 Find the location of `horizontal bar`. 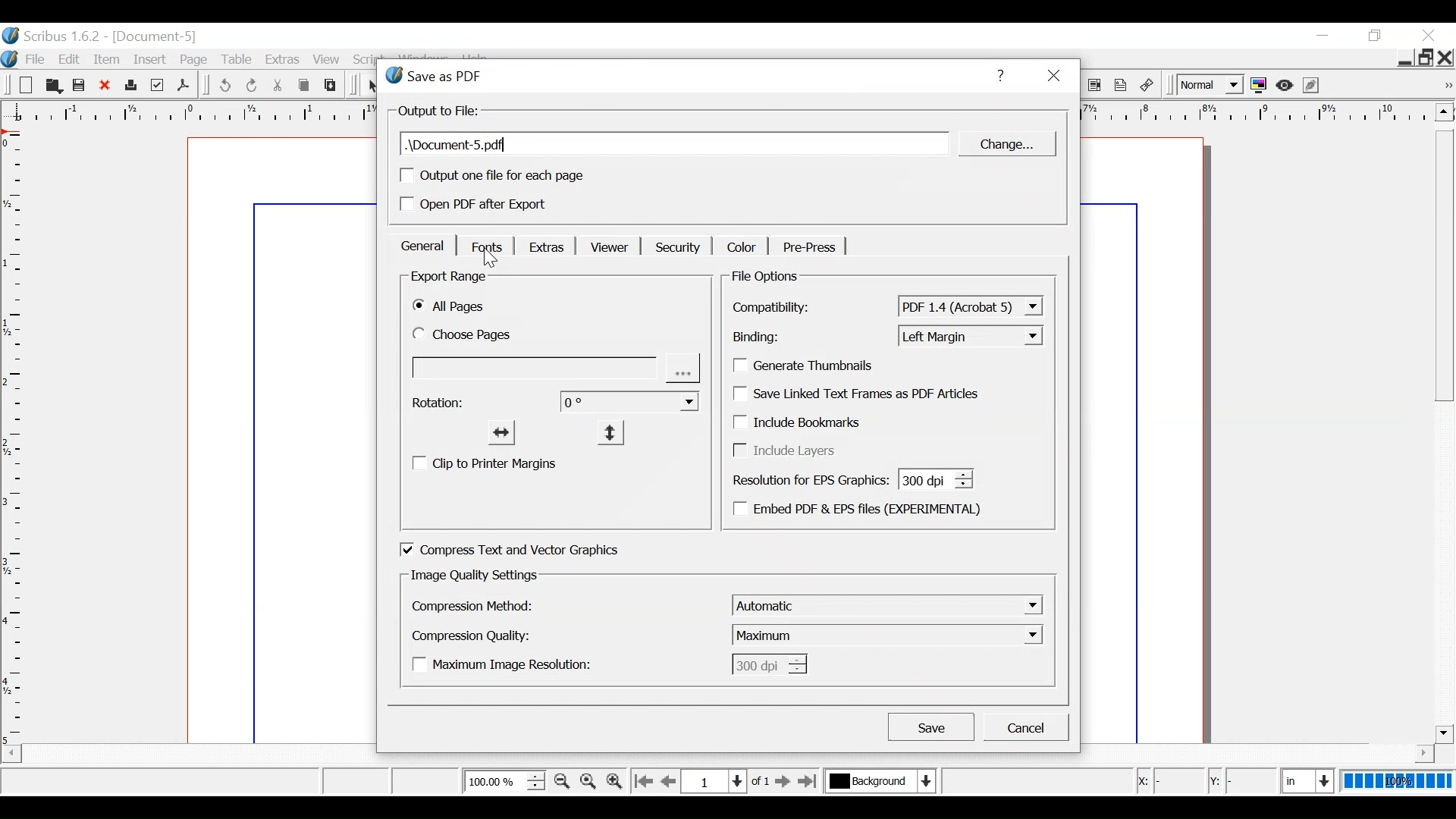

horizontal bar is located at coordinates (1404, 753).